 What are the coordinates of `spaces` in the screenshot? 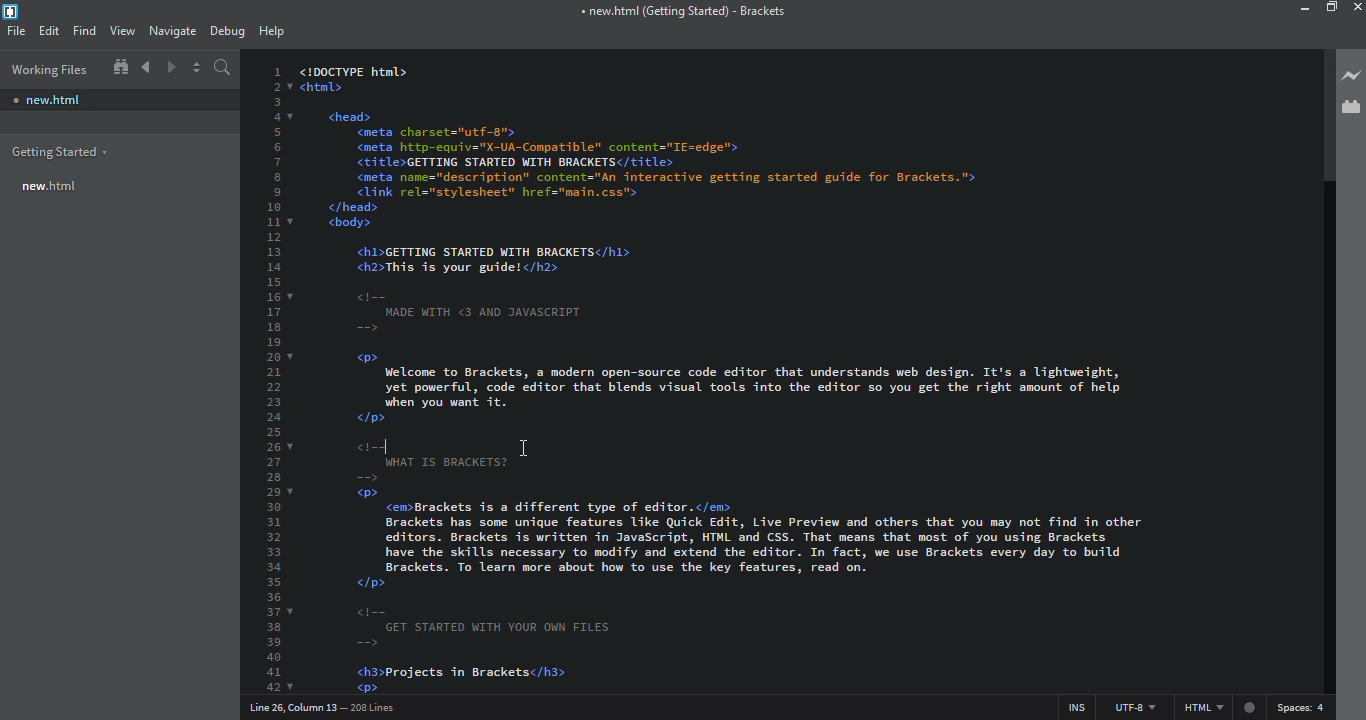 It's located at (1303, 706).